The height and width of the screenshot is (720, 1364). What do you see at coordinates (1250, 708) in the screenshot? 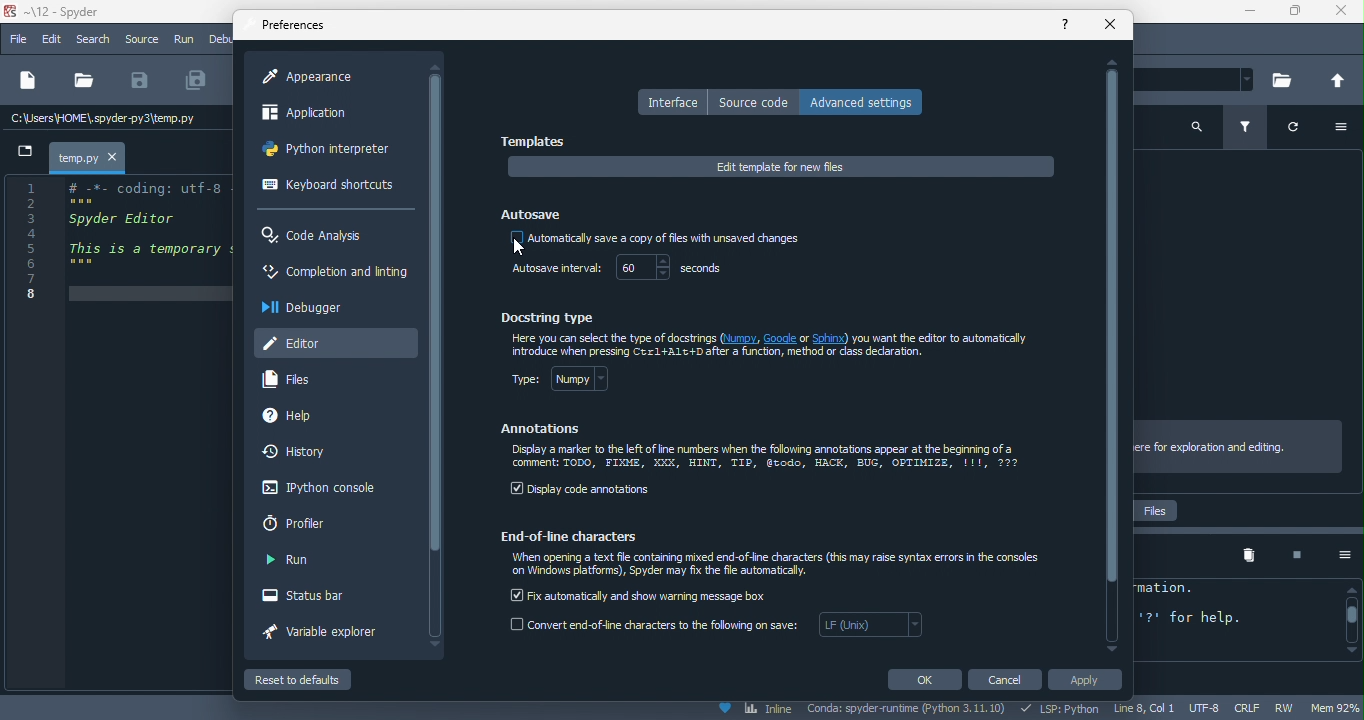
I see `crlf` at bounding box center [1250, 708].